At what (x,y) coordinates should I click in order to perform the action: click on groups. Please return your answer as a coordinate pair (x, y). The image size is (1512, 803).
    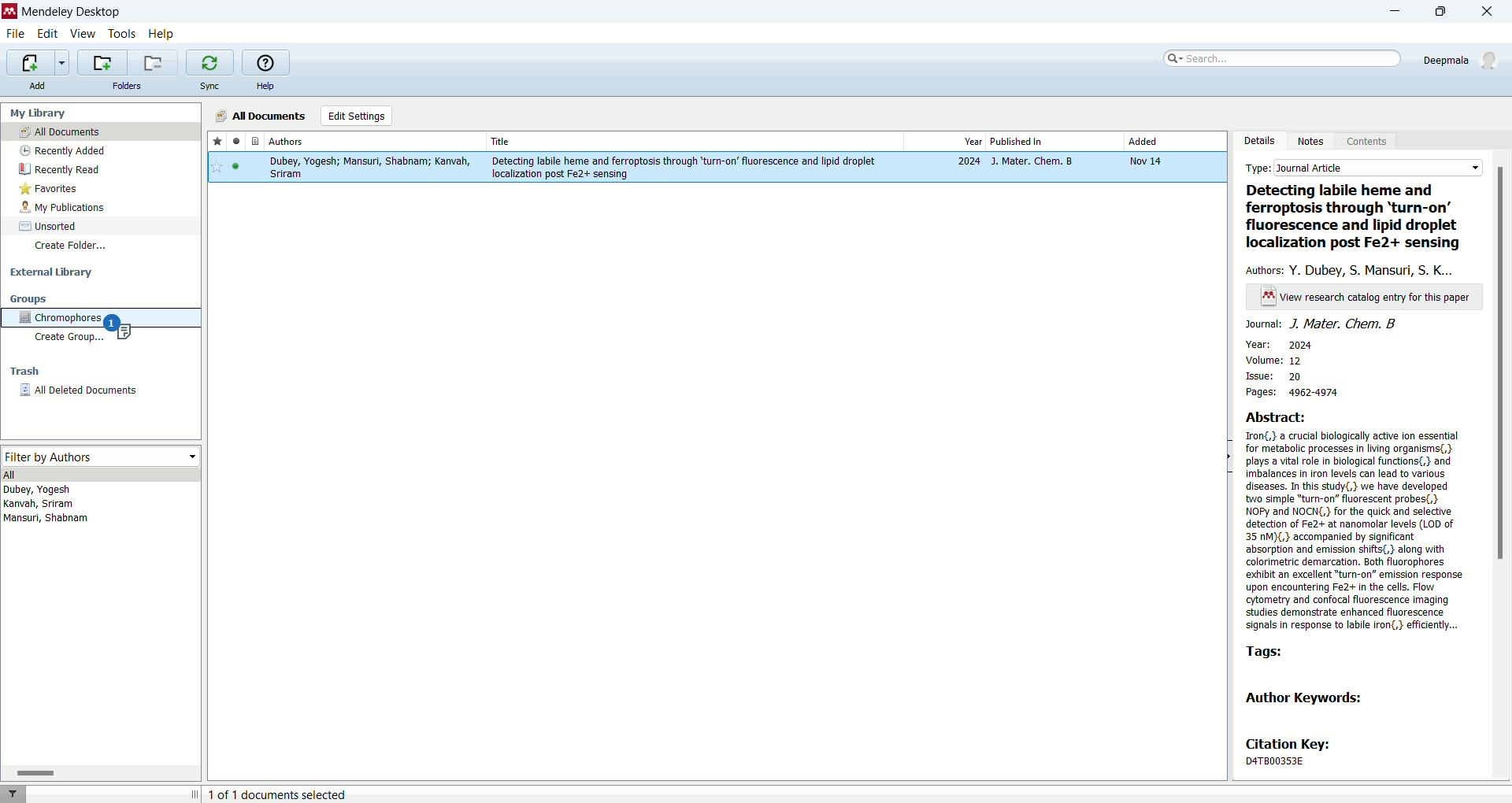
    Looking at the image, I should click on (29, 298).